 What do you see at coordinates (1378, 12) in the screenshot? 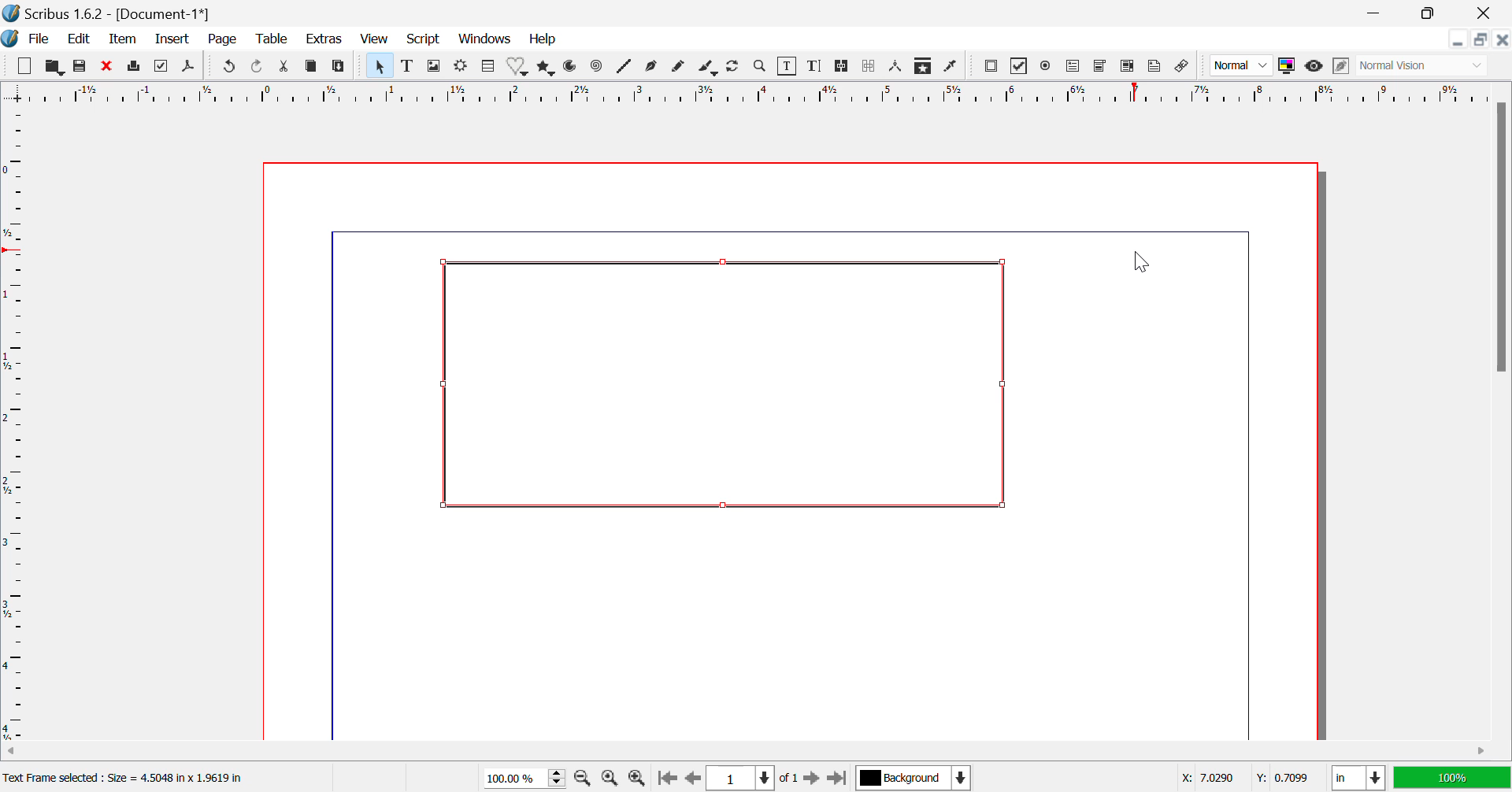
I see `Restore Down` at bounding box center [1378, 12].